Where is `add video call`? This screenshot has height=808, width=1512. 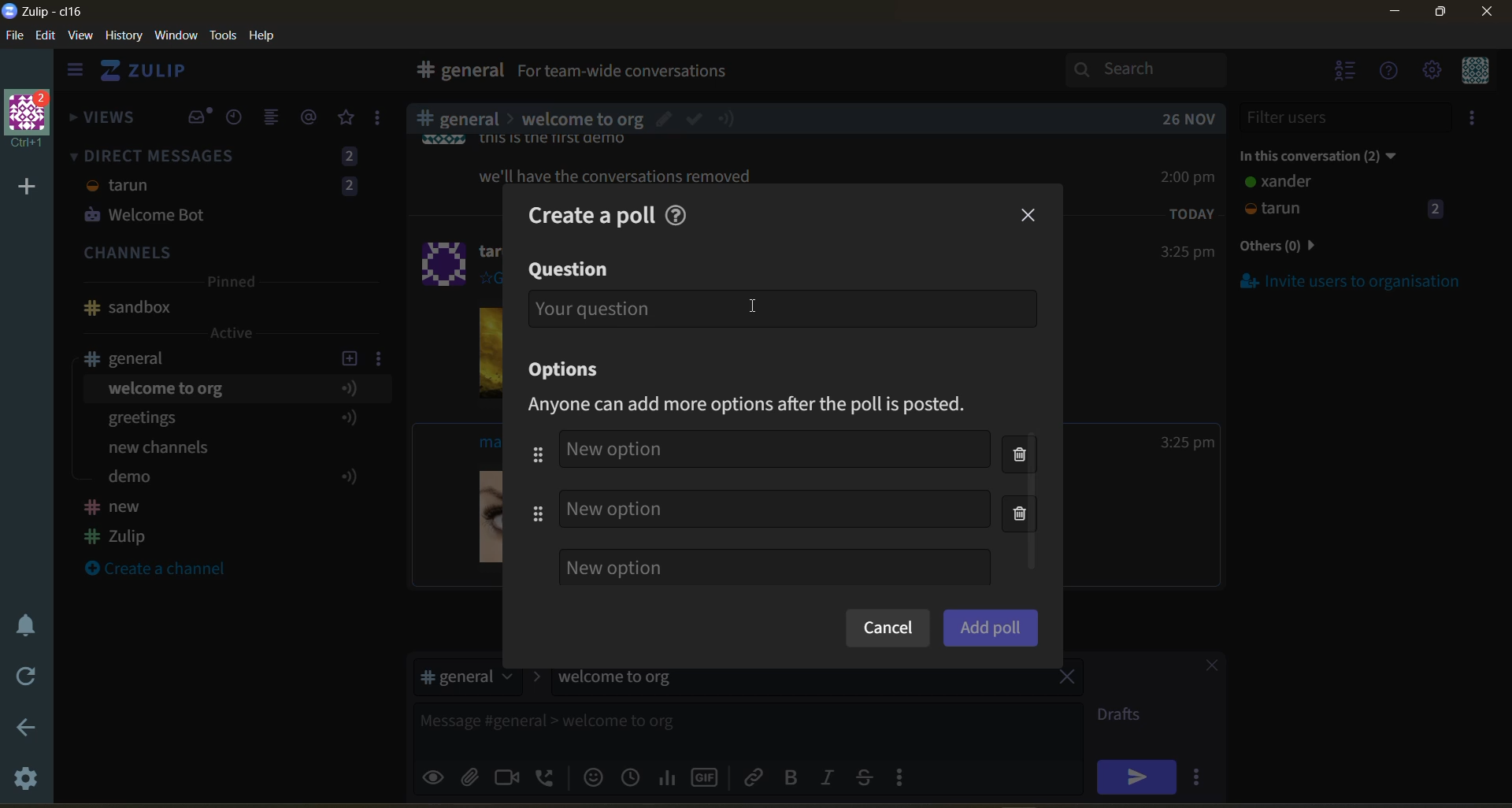
add video call is located at coordinates (508, 776).